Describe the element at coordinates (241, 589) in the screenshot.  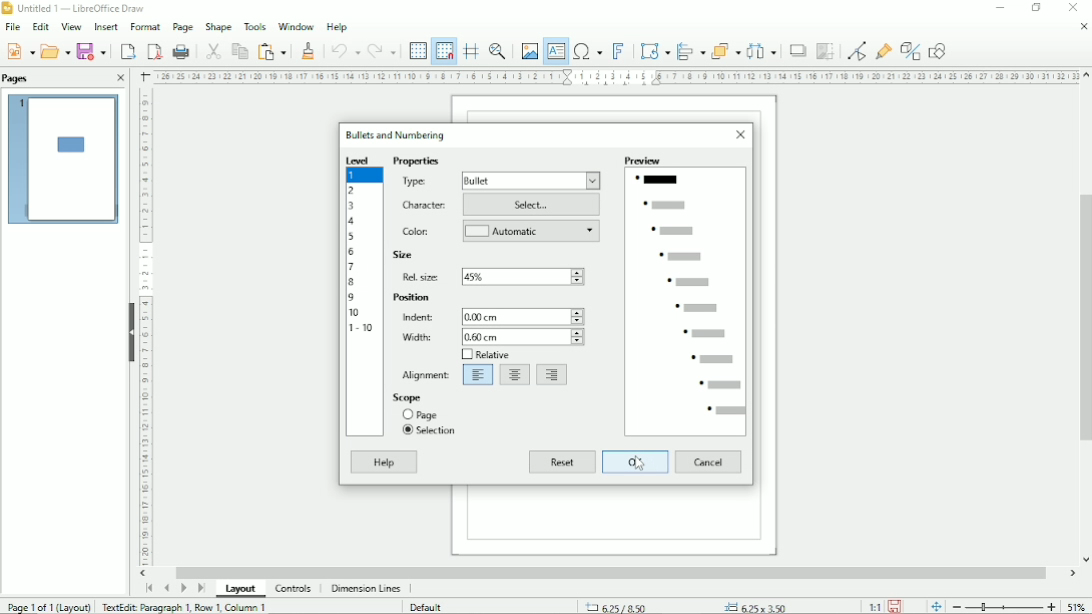
I see `Layout` at that location.